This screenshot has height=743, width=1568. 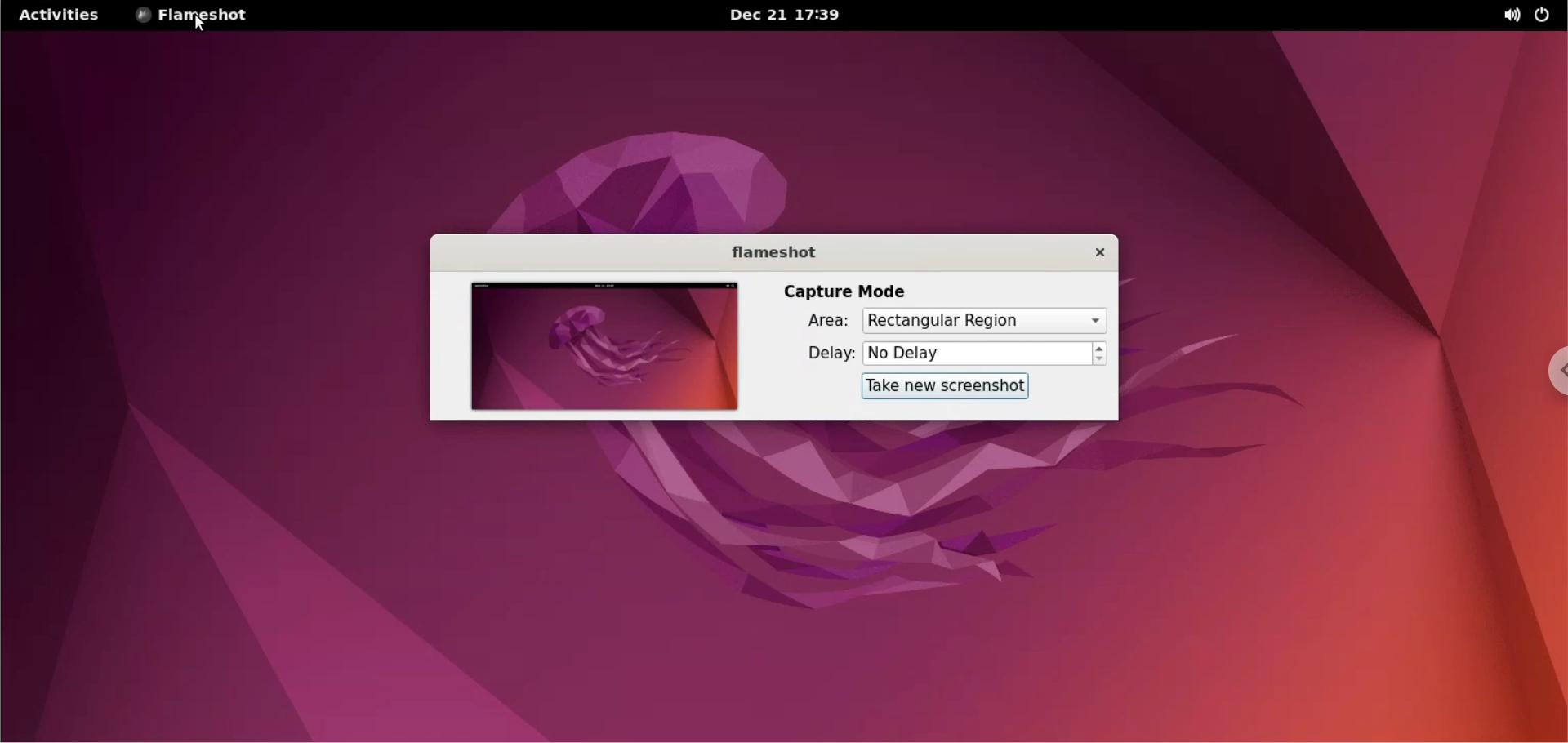 I want to click on activities, so click(x=60, y=14).